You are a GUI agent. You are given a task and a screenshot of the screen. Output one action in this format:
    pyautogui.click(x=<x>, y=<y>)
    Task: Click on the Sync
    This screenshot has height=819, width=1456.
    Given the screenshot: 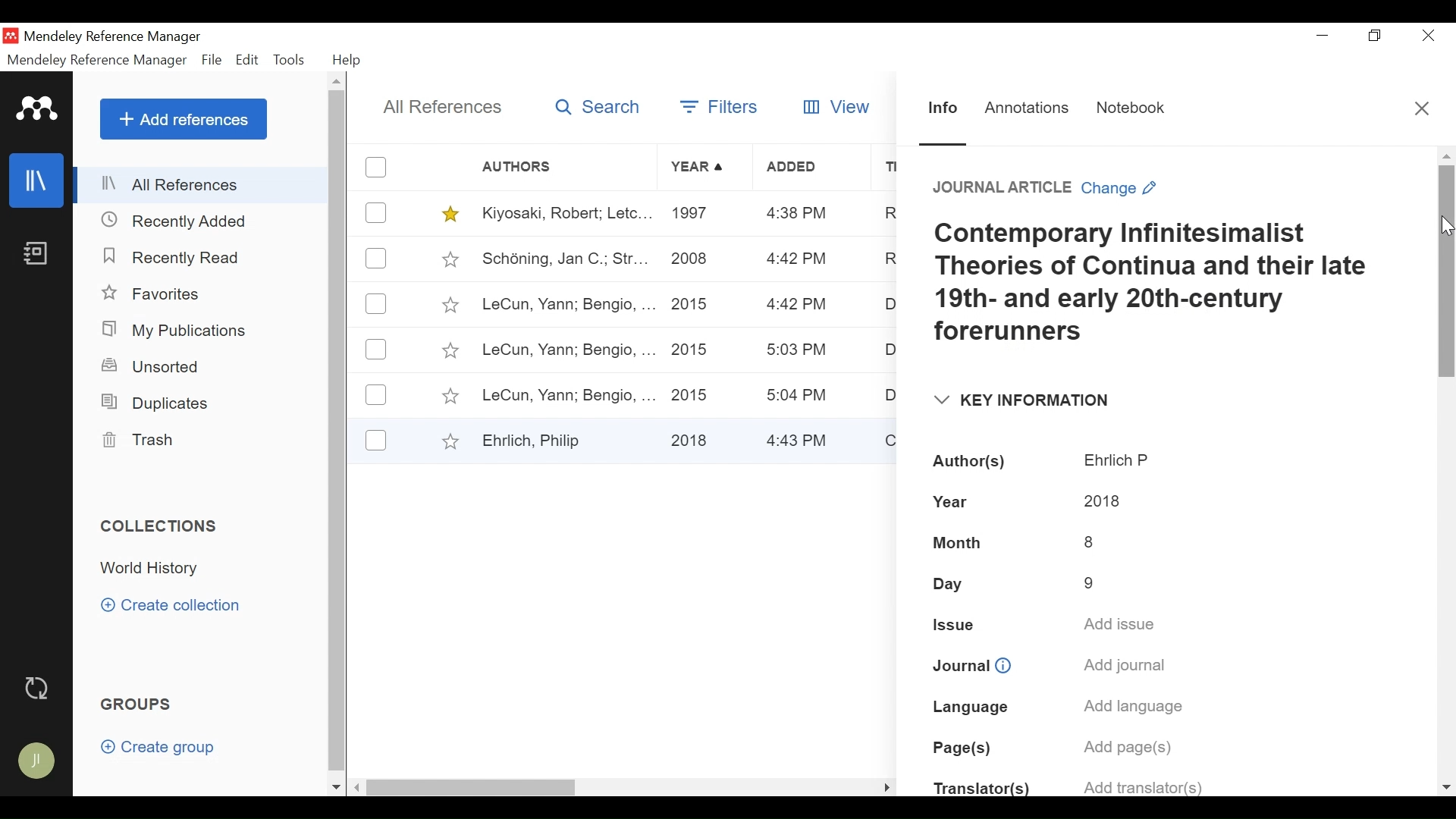 What is the action you would take?
    pyautogui.click(x=37, y=688)
    